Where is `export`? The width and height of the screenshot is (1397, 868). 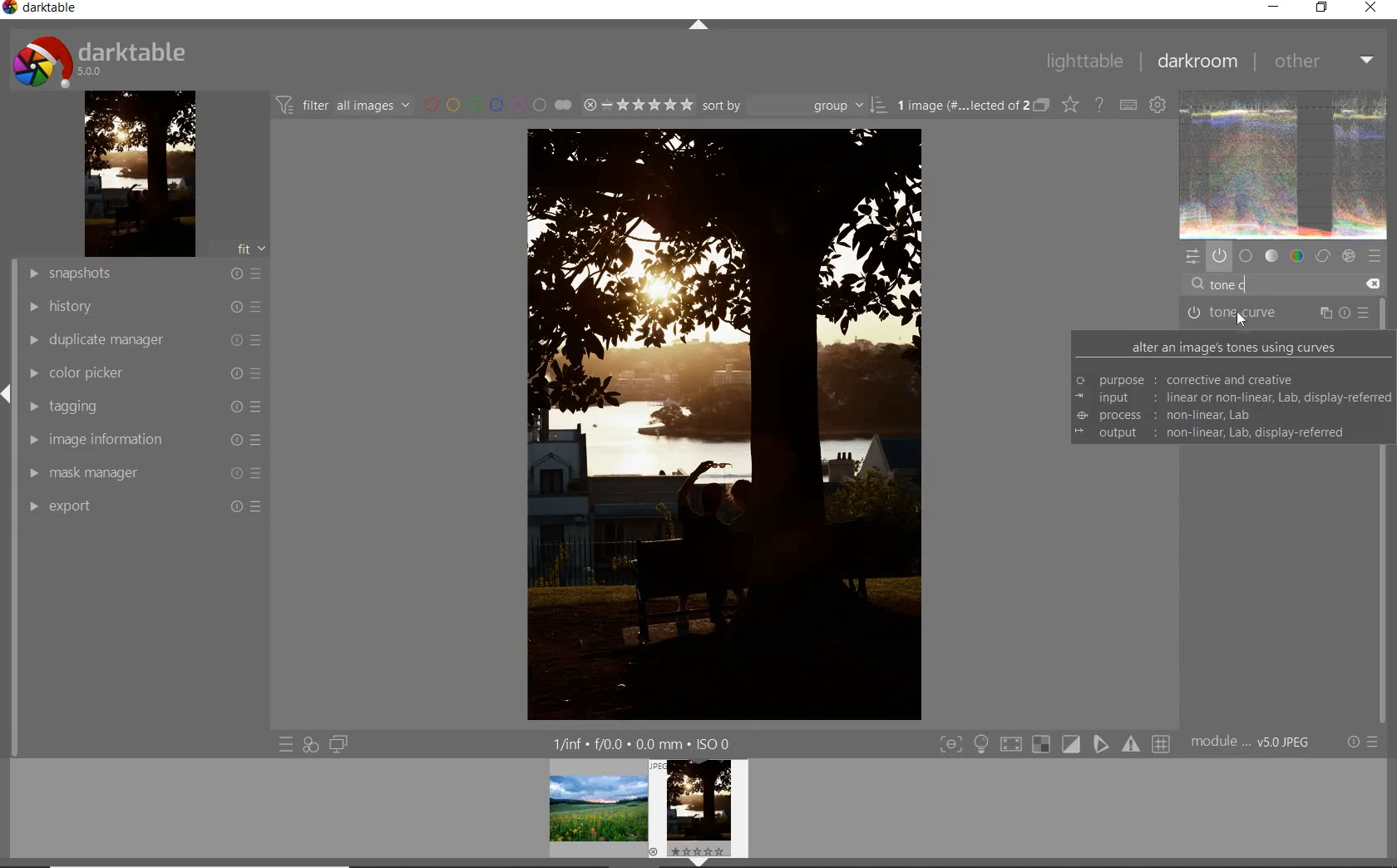
export is located at coordinates (142, 508).